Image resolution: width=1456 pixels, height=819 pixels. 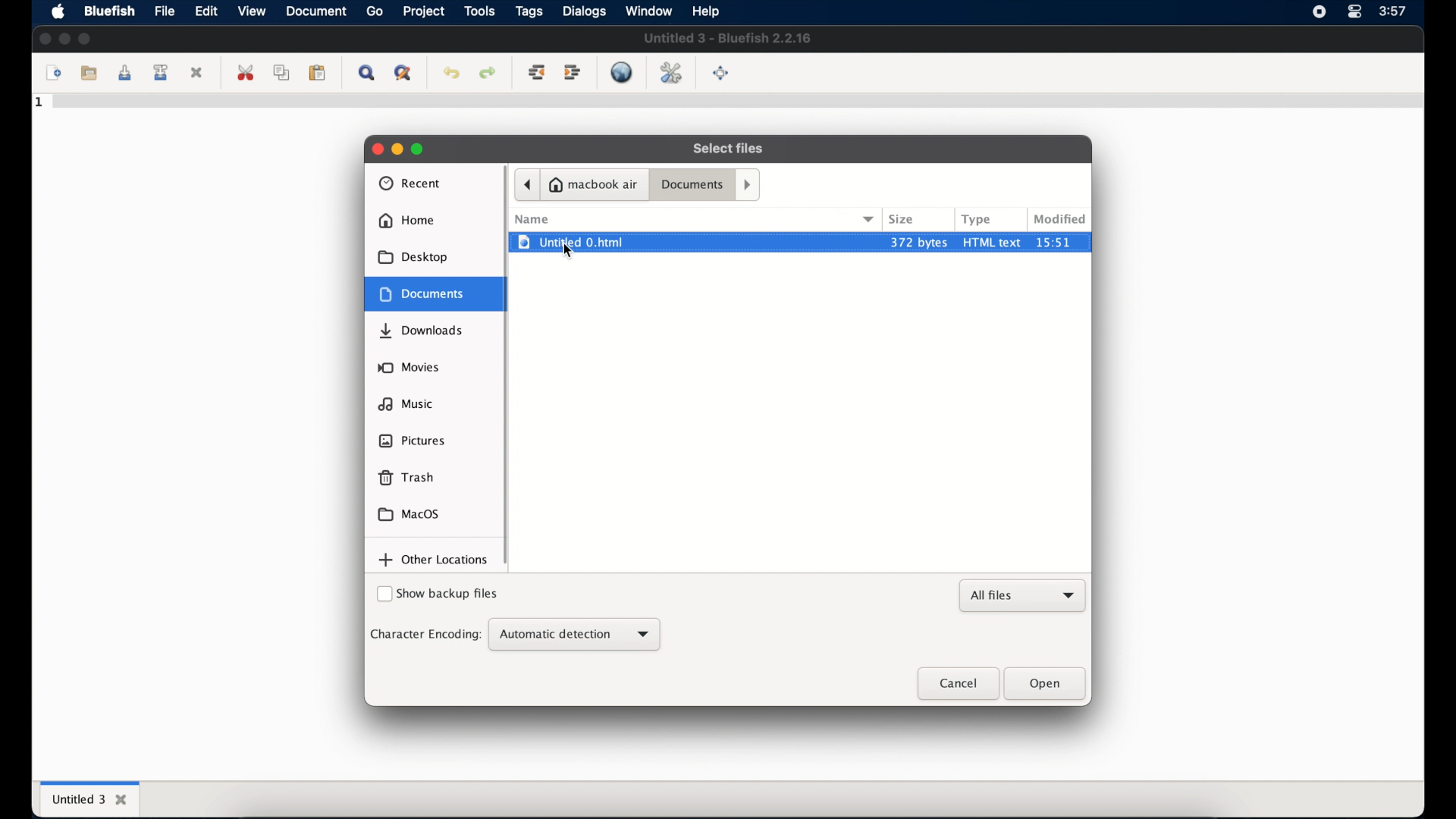 What do you see at coordinates (64, 38) in the screenshot?
I see `minimize` at bounding box center [64, 38].